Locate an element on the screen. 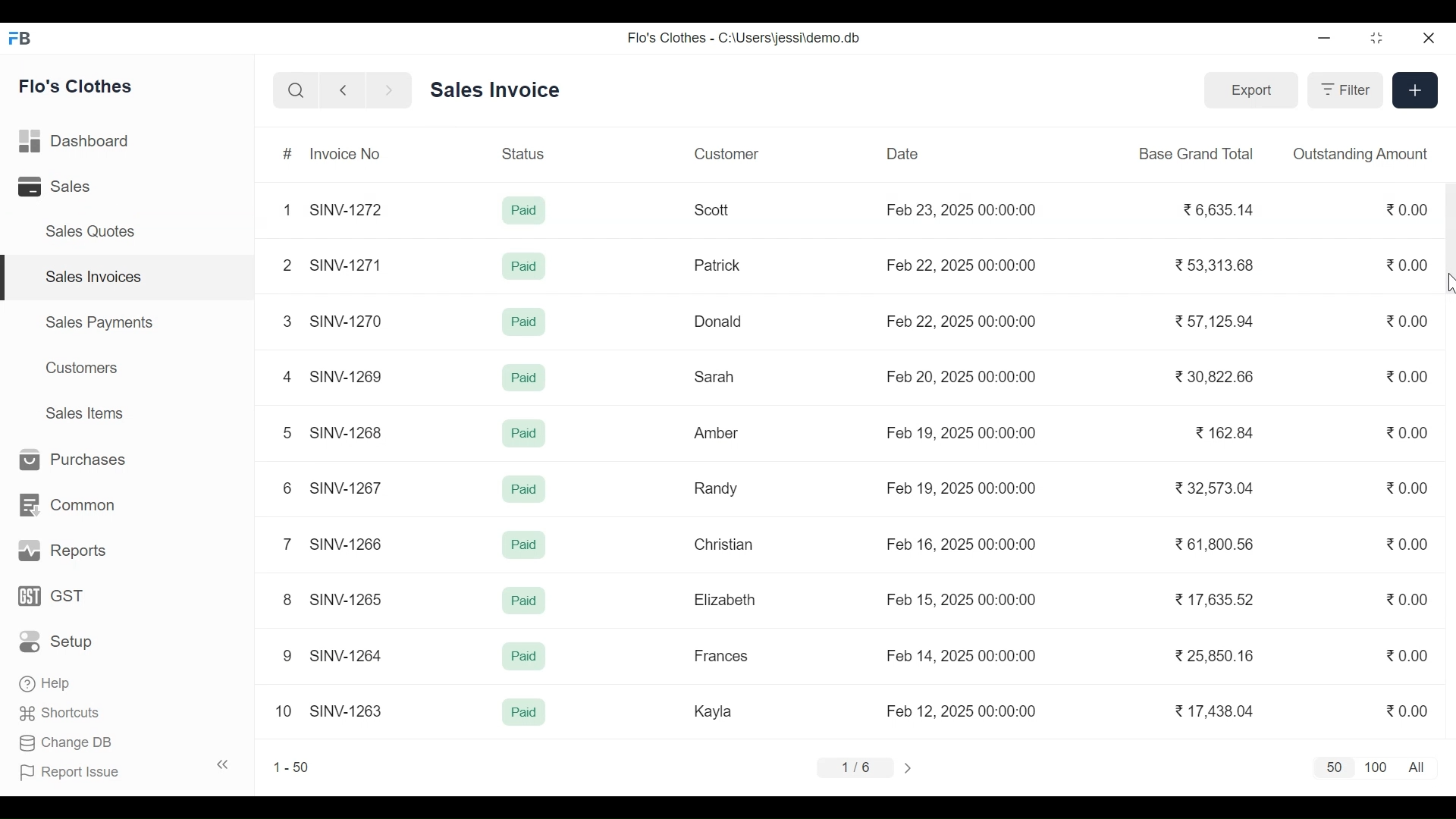  32,573.04 is located at coordinates (1216, 488).